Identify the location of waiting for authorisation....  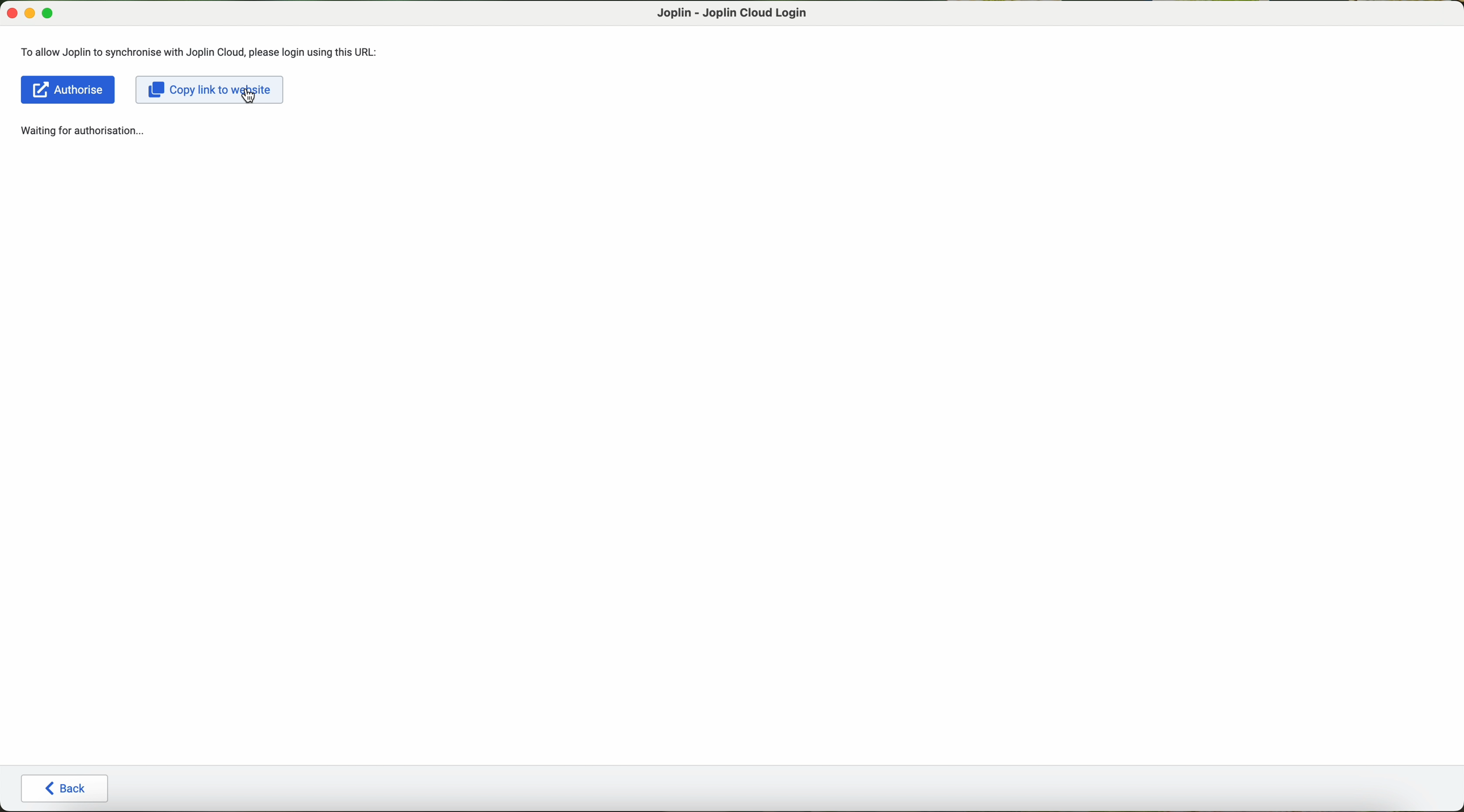
(83, 131).